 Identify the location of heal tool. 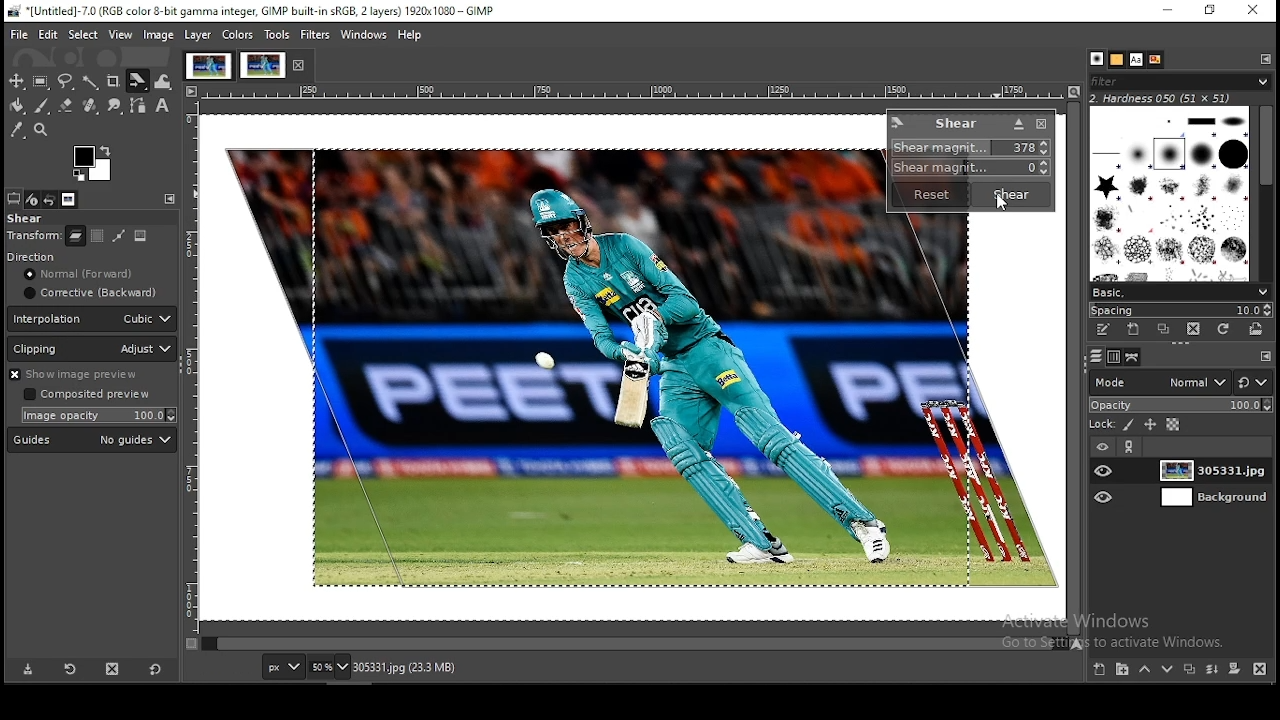
(91, 106).